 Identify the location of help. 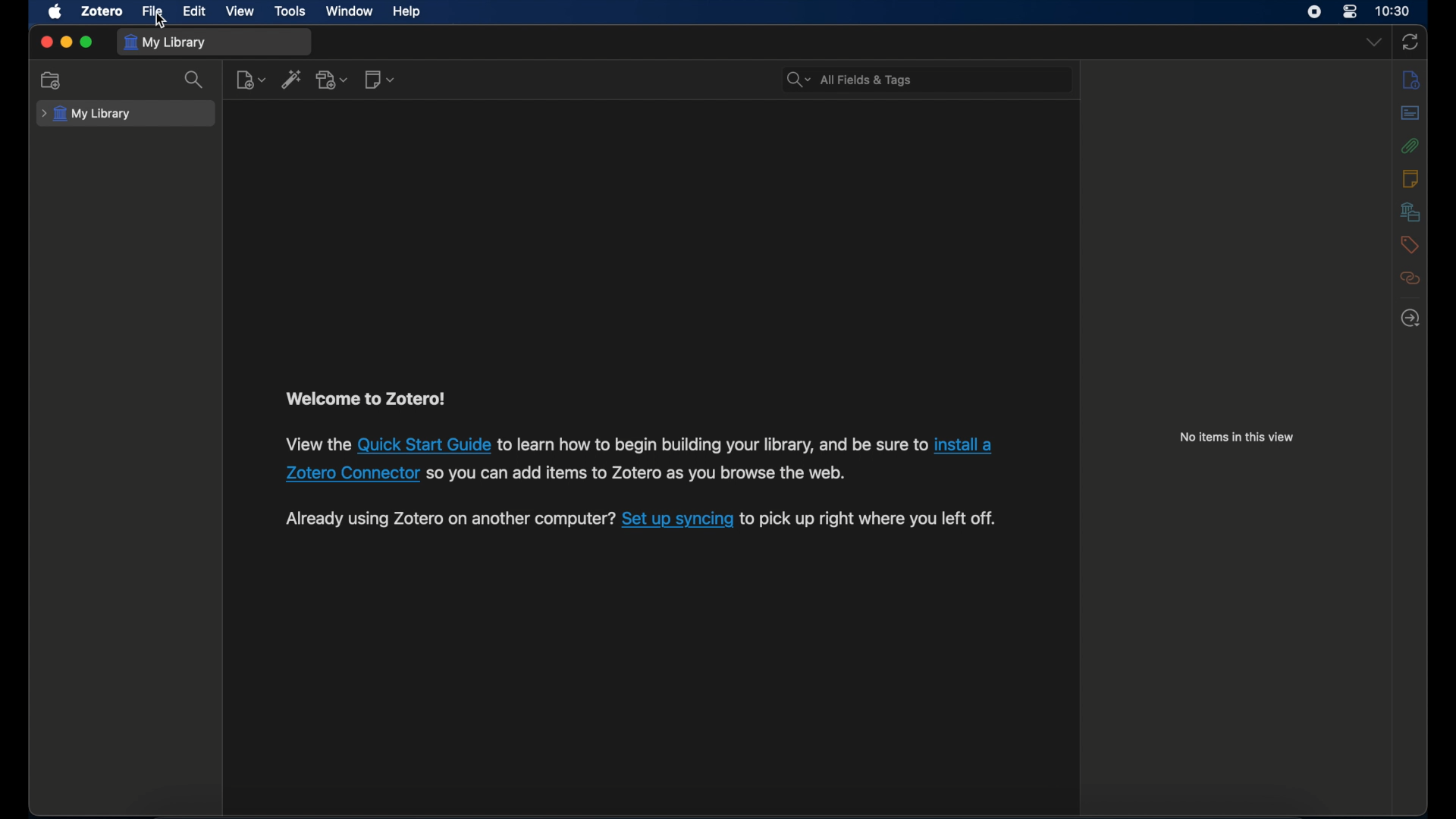
(406, 12).